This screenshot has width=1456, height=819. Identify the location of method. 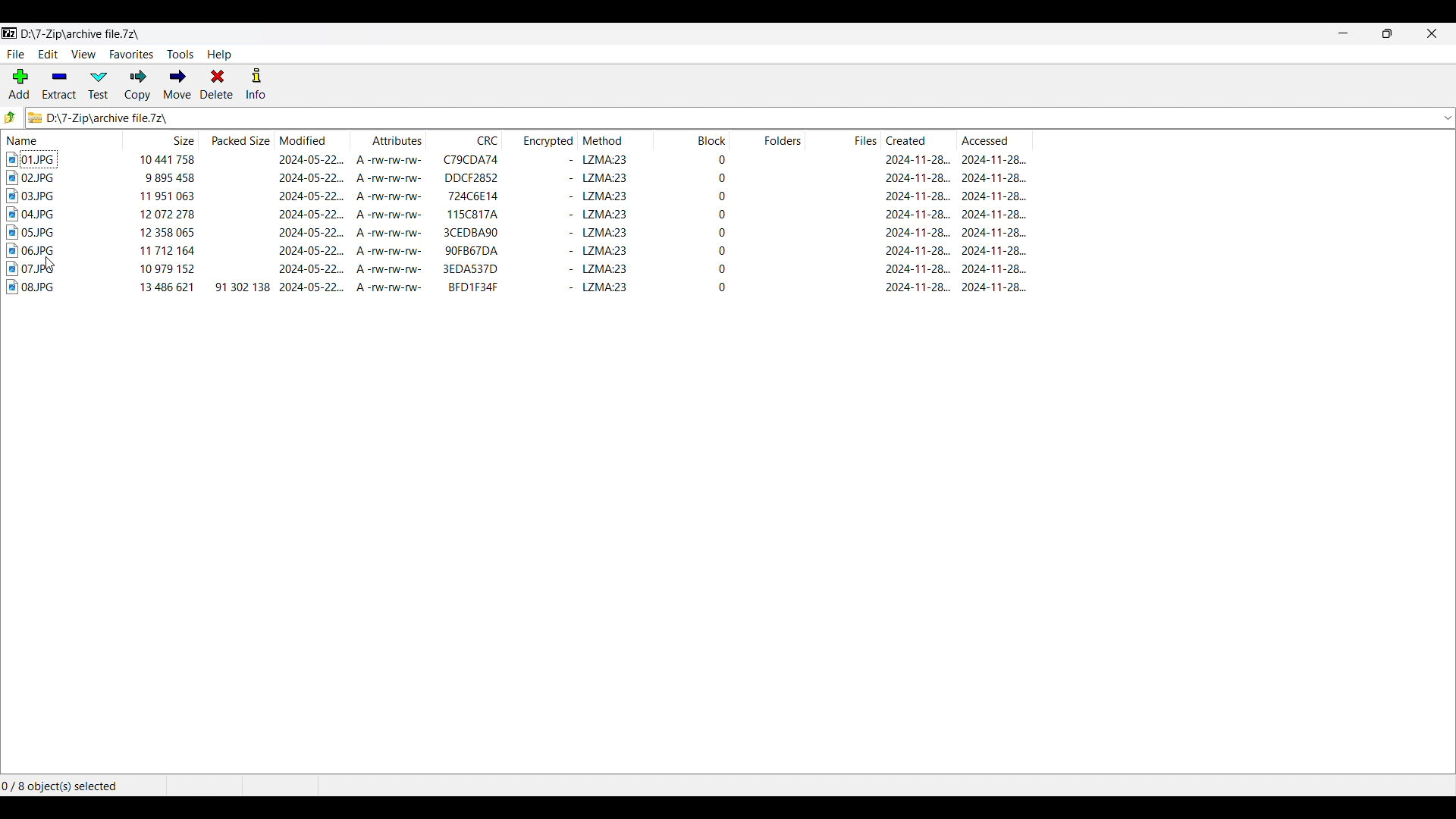
(604, 178).